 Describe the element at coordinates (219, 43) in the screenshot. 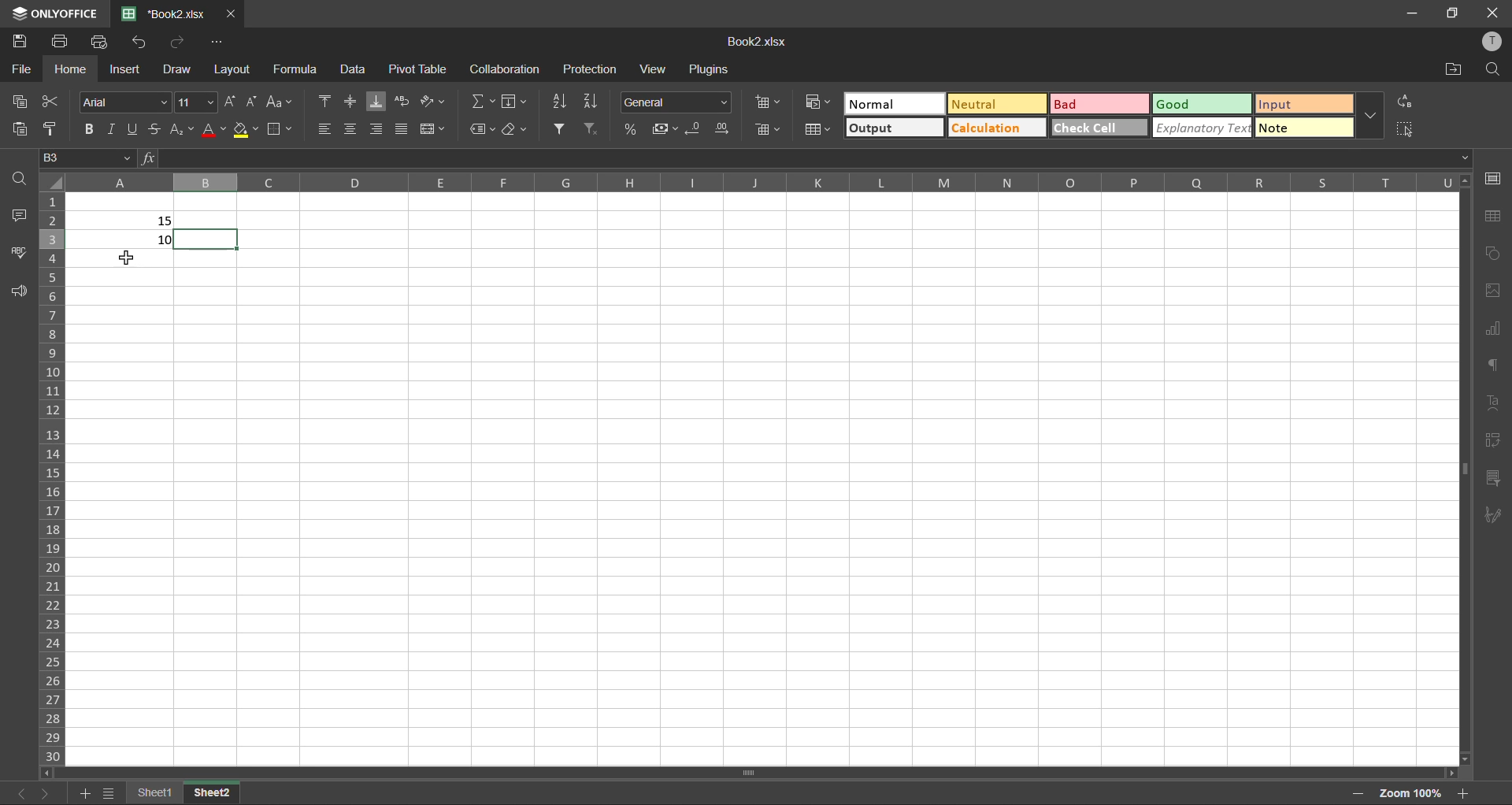

I see `customize quick access toolbar` at that location.